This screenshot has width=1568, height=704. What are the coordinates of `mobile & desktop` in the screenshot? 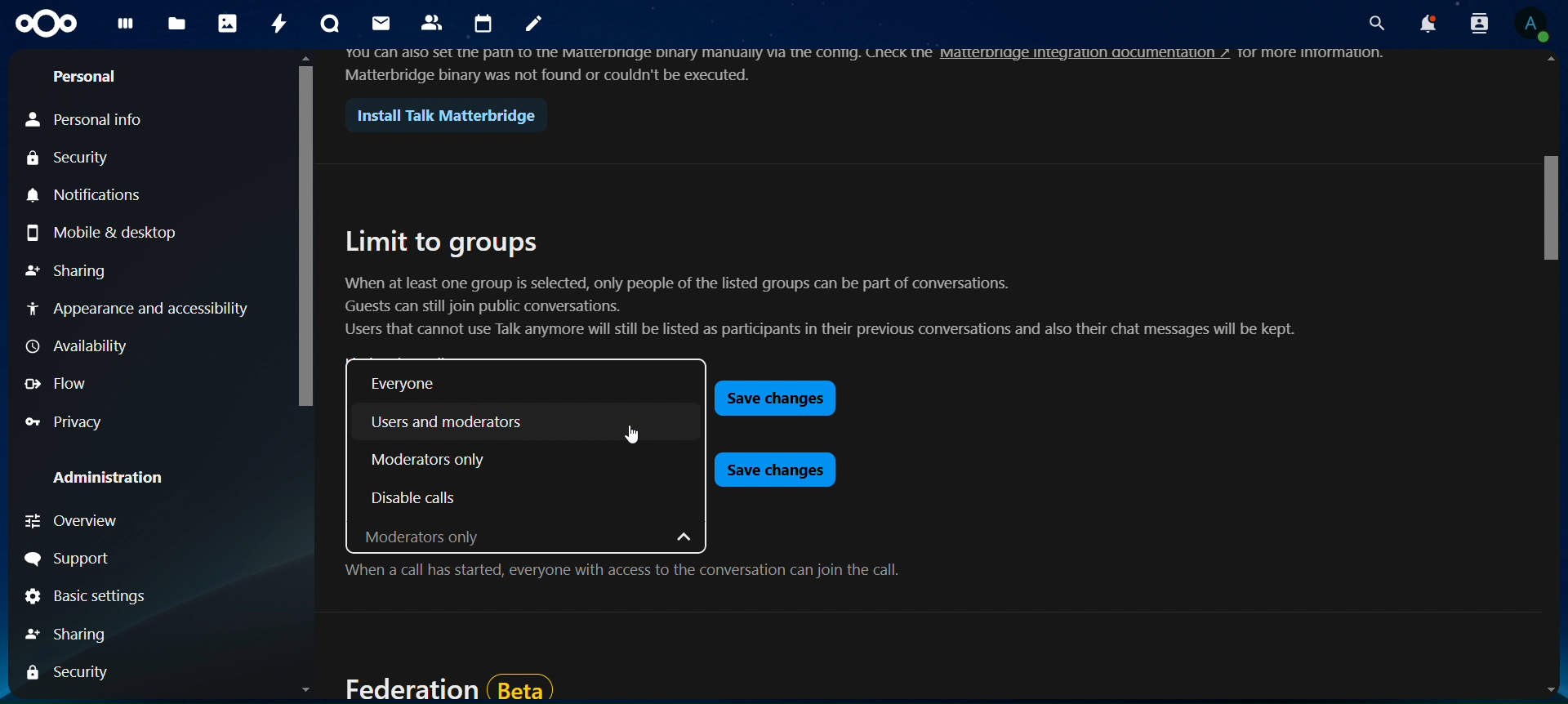 It's located at (102, 234).